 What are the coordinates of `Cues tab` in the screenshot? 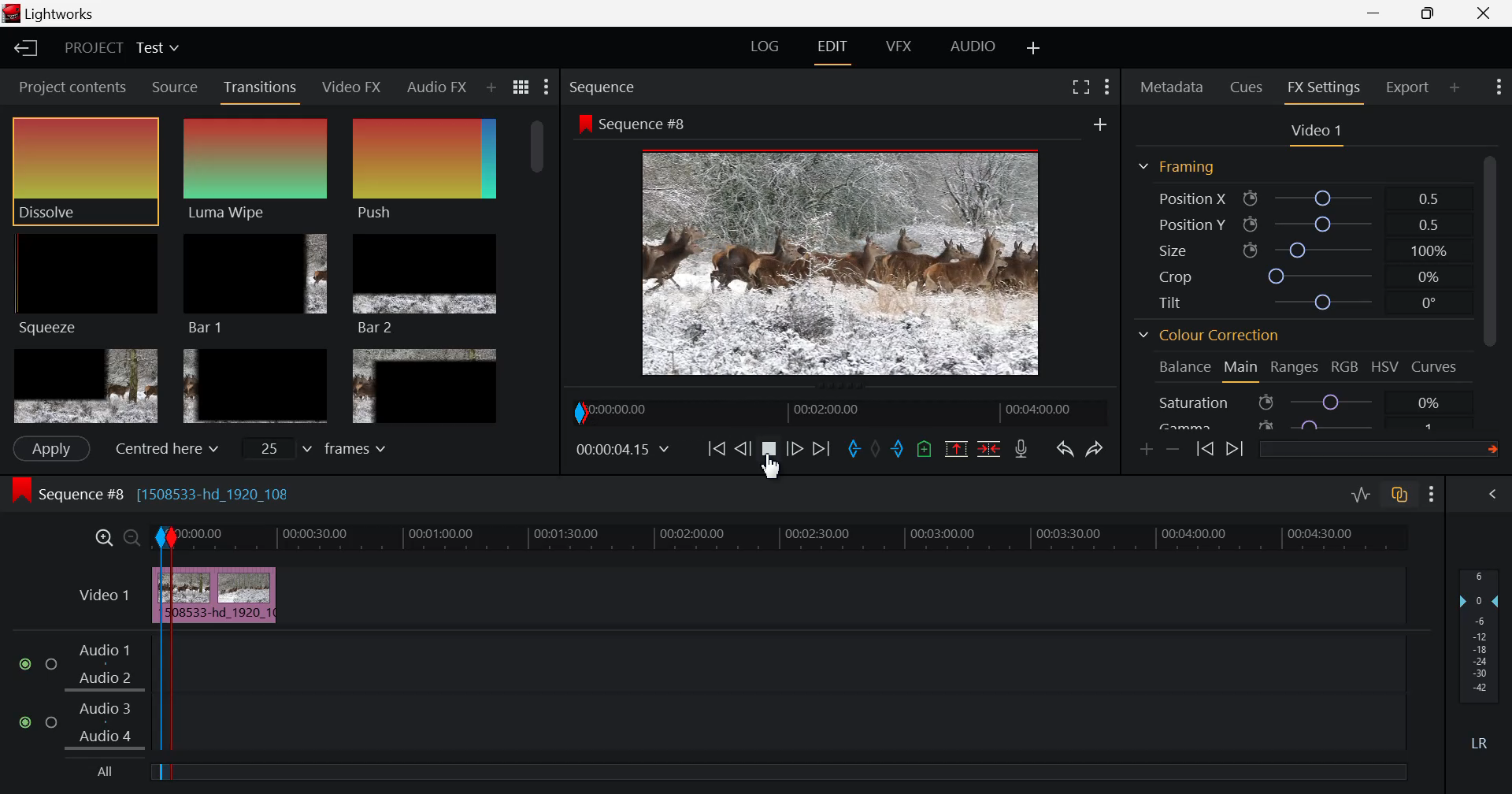 It's located at (1247, 86).